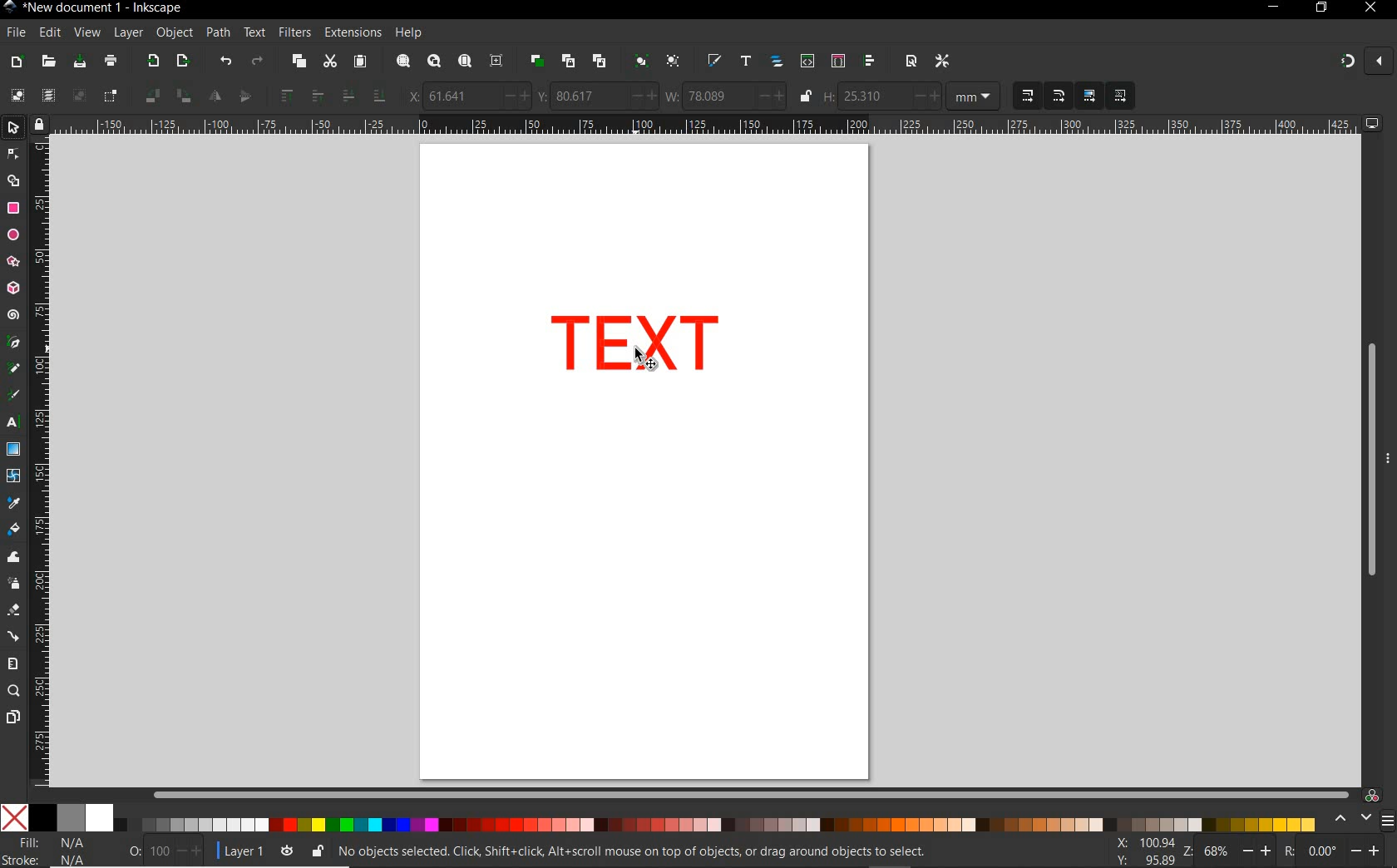 The width and height of the screenshot is (1397, 868). I want to click on select all, so click(17, 96).